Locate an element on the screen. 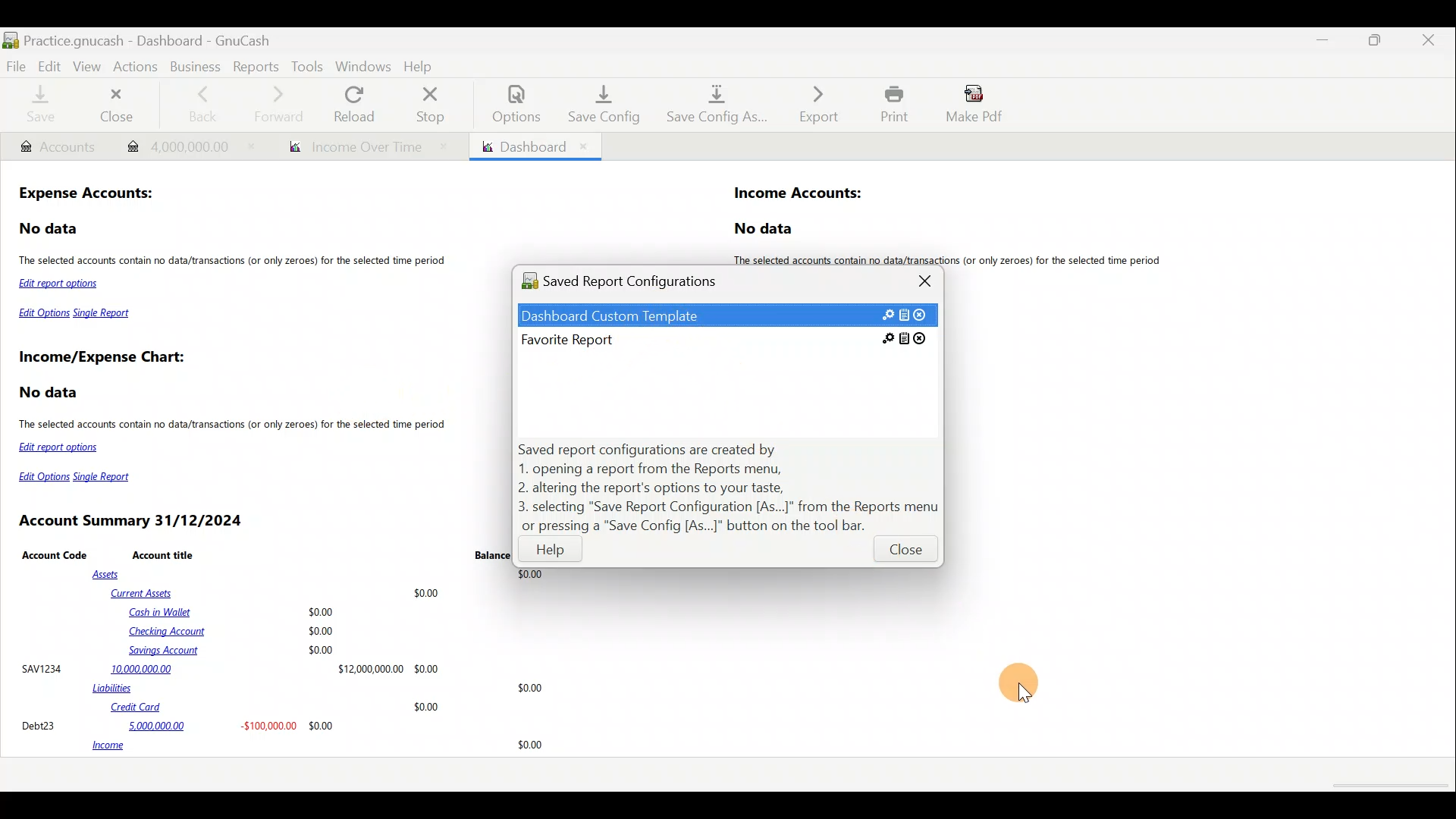 The height and width of the screenshot is (819, 1456). scroll is located at coordinates (1388, 786).